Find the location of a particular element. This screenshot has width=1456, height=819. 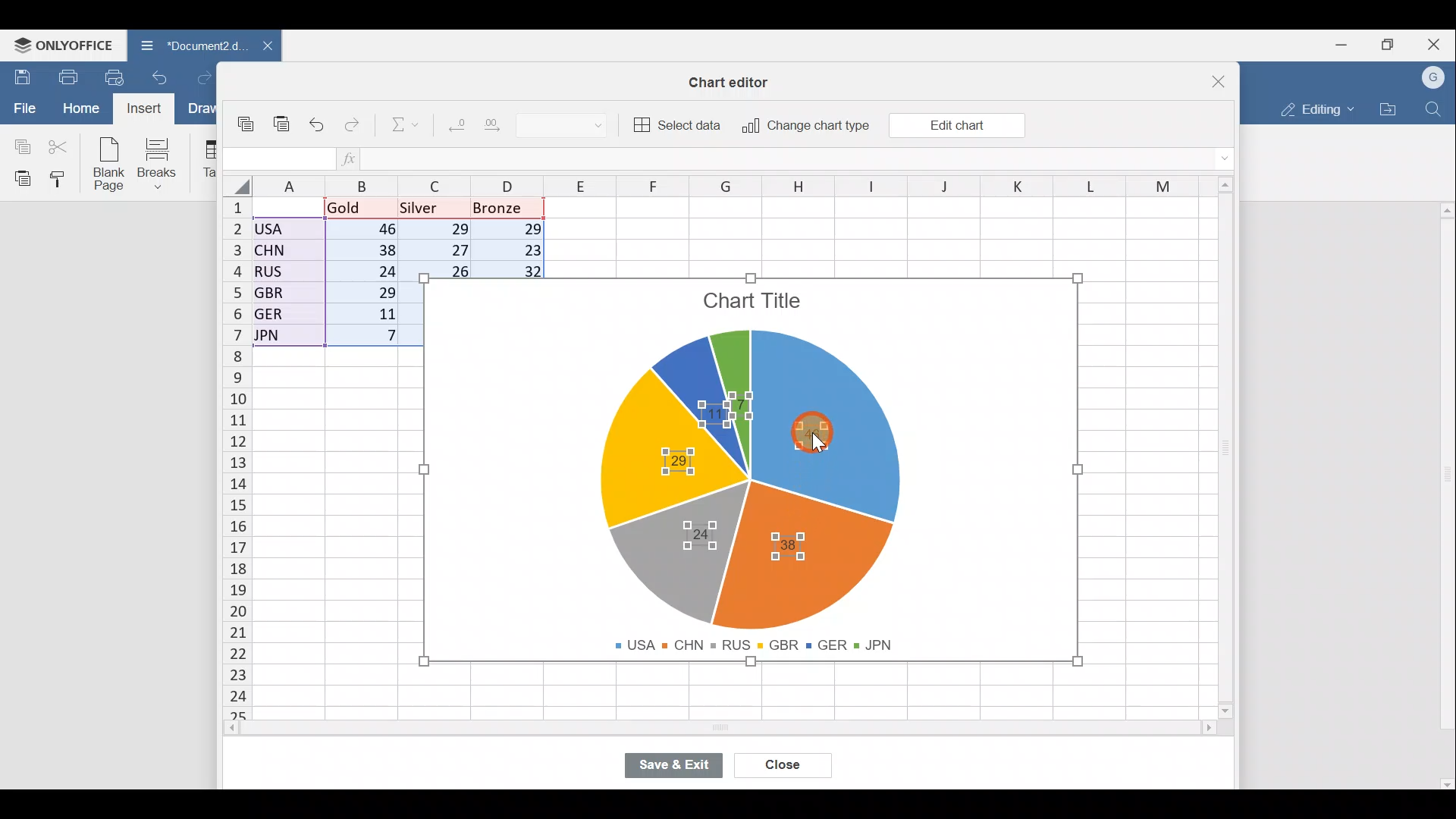

Editing mode is located at coordinates (1316, 106).